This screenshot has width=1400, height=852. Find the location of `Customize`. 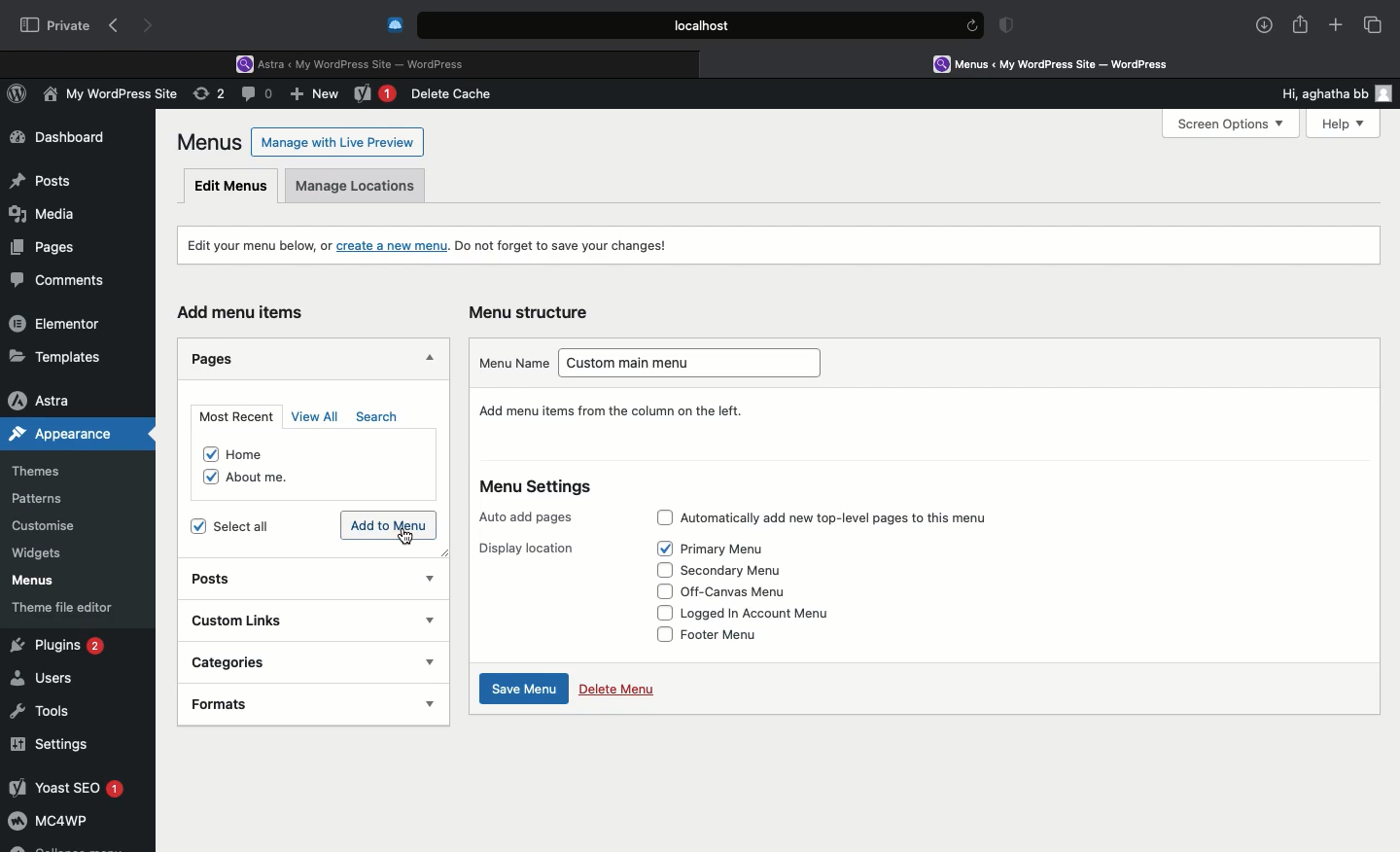

Customize is located at coordinates (47, 529).